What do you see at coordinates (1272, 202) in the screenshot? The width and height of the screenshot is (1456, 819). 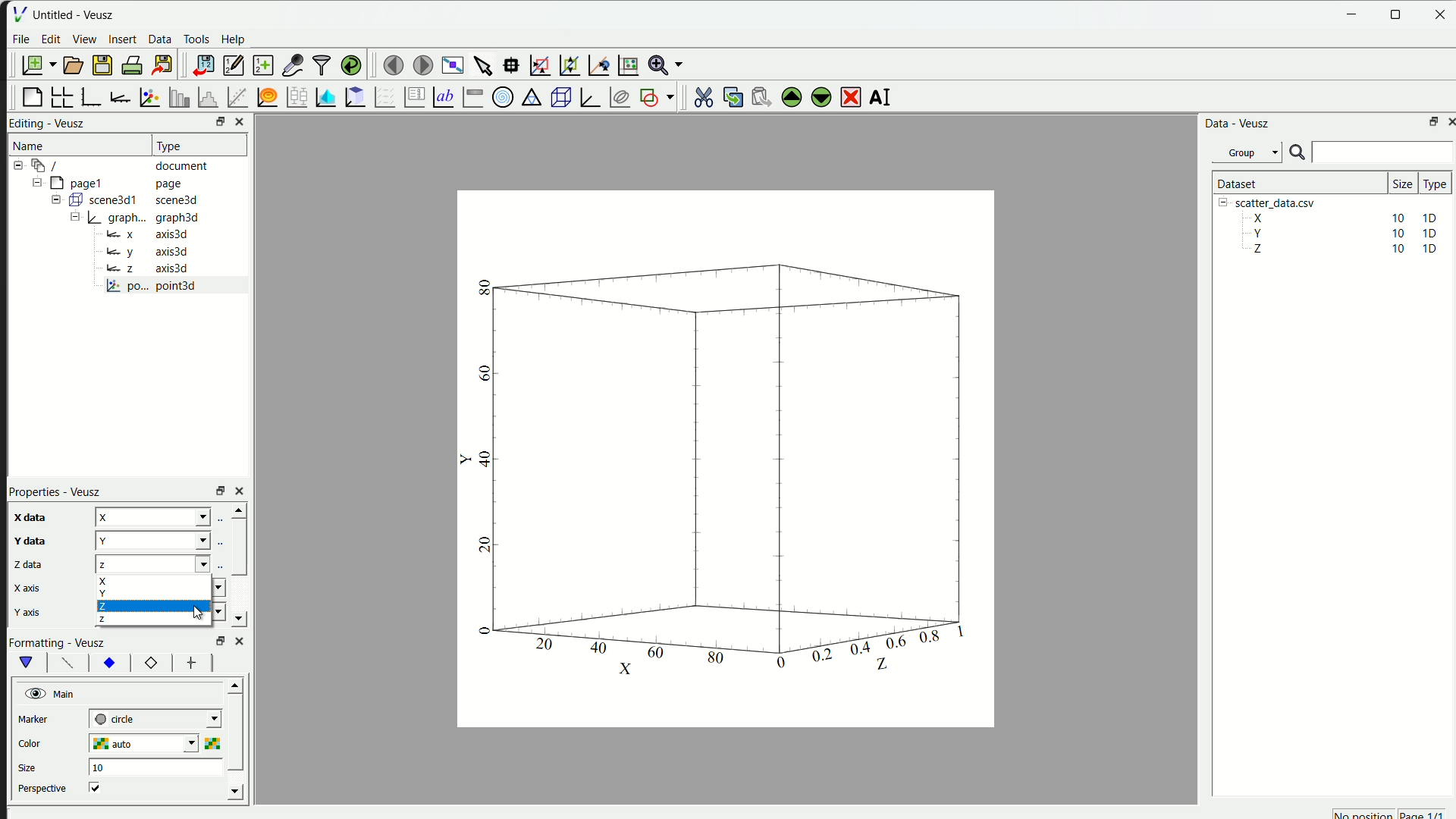 I see `| [= scatter_data.csv` at bounding box center [1272, 202].